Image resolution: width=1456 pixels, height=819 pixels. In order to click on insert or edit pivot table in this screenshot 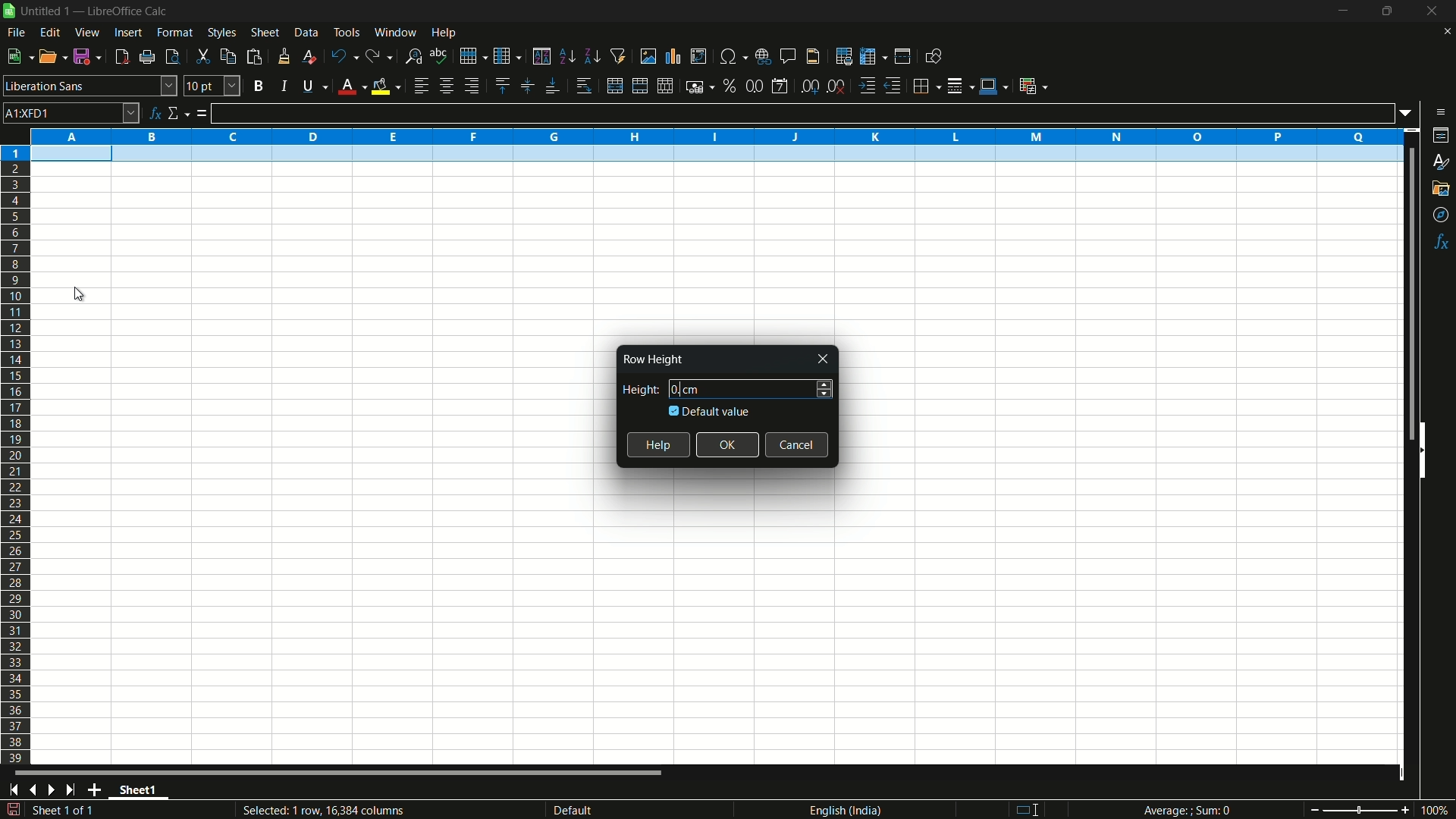, I will do `click(698, 56)`.